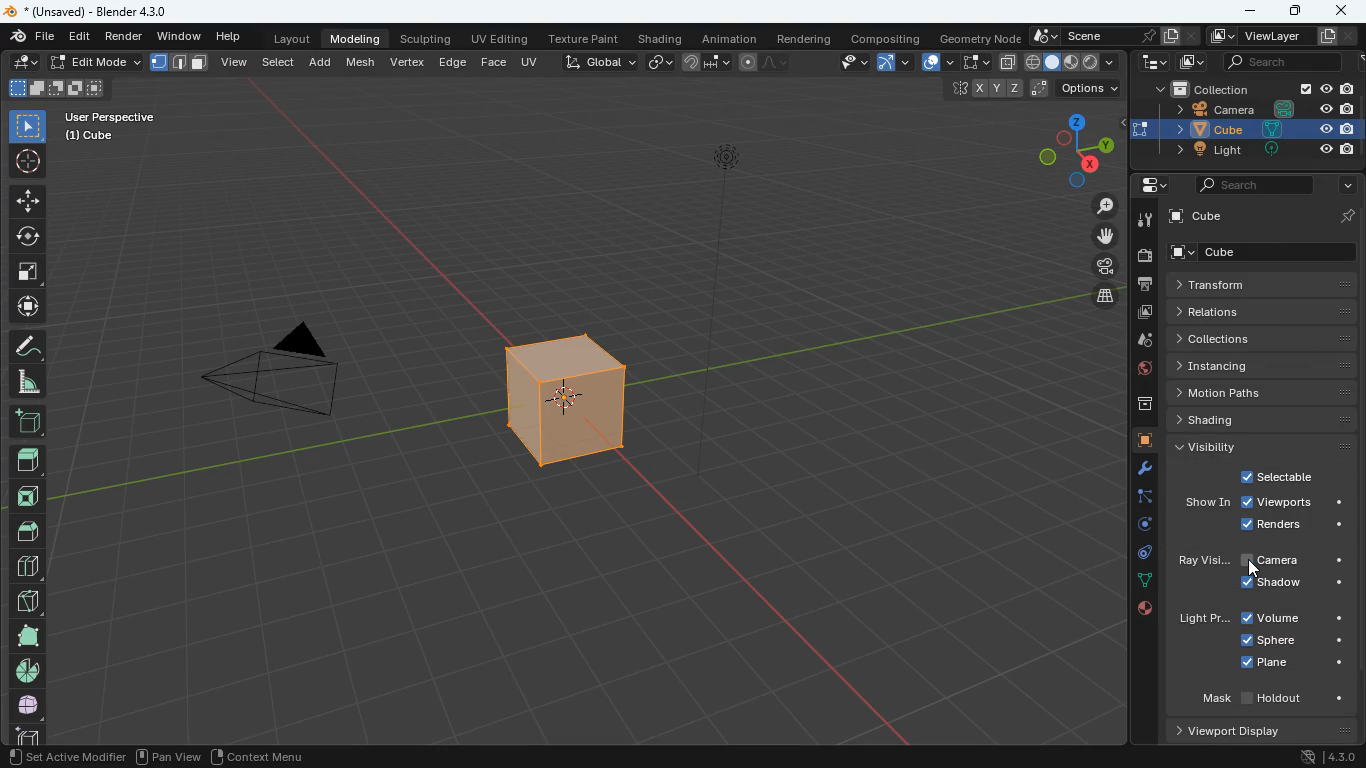  What do you see at coordinates (972, 63) in the screenshot?
I see `select` at bounding box center [972, 63].